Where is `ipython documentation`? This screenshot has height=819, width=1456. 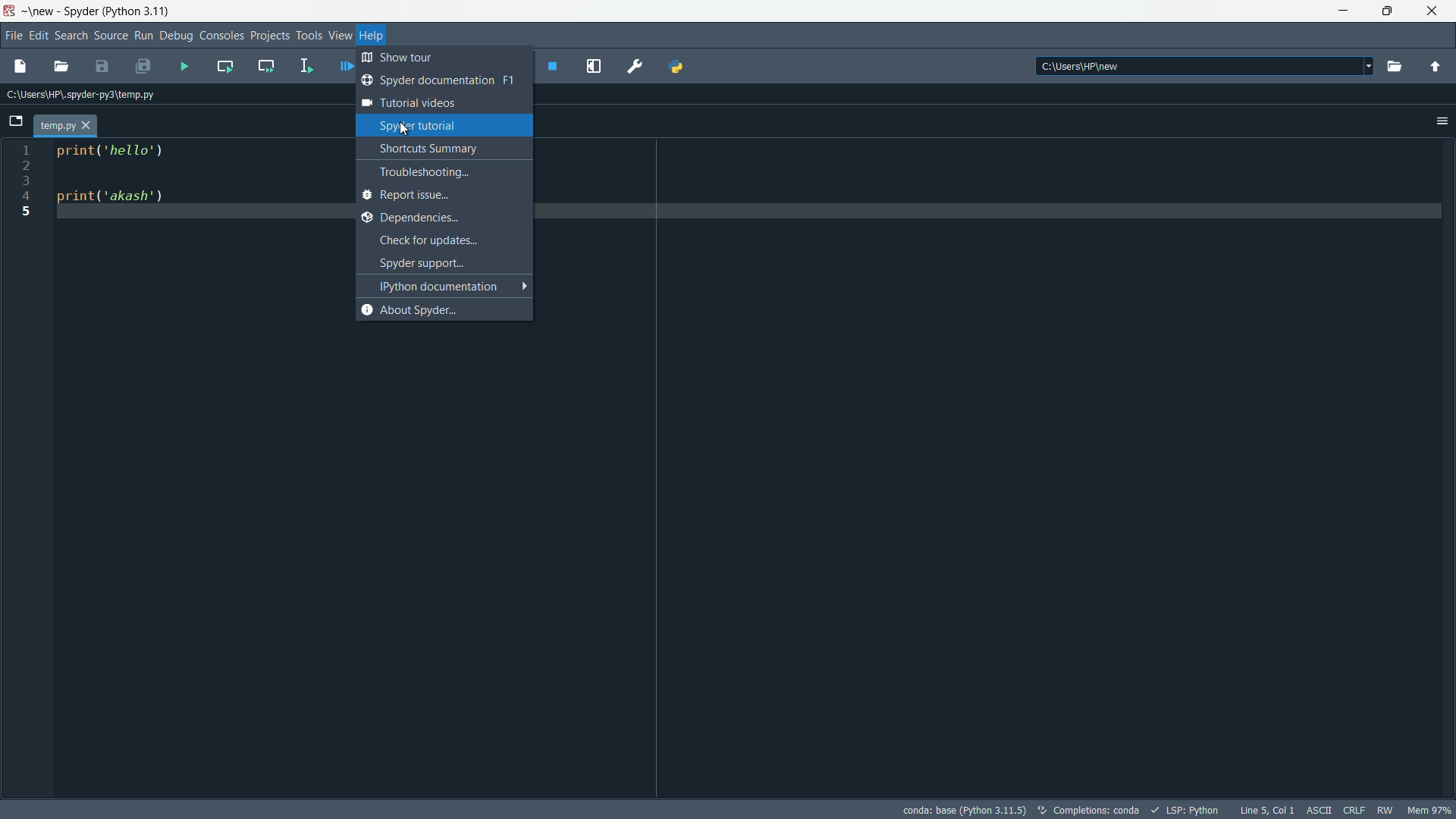
ipython documentation is located at coordinates (447, 287).